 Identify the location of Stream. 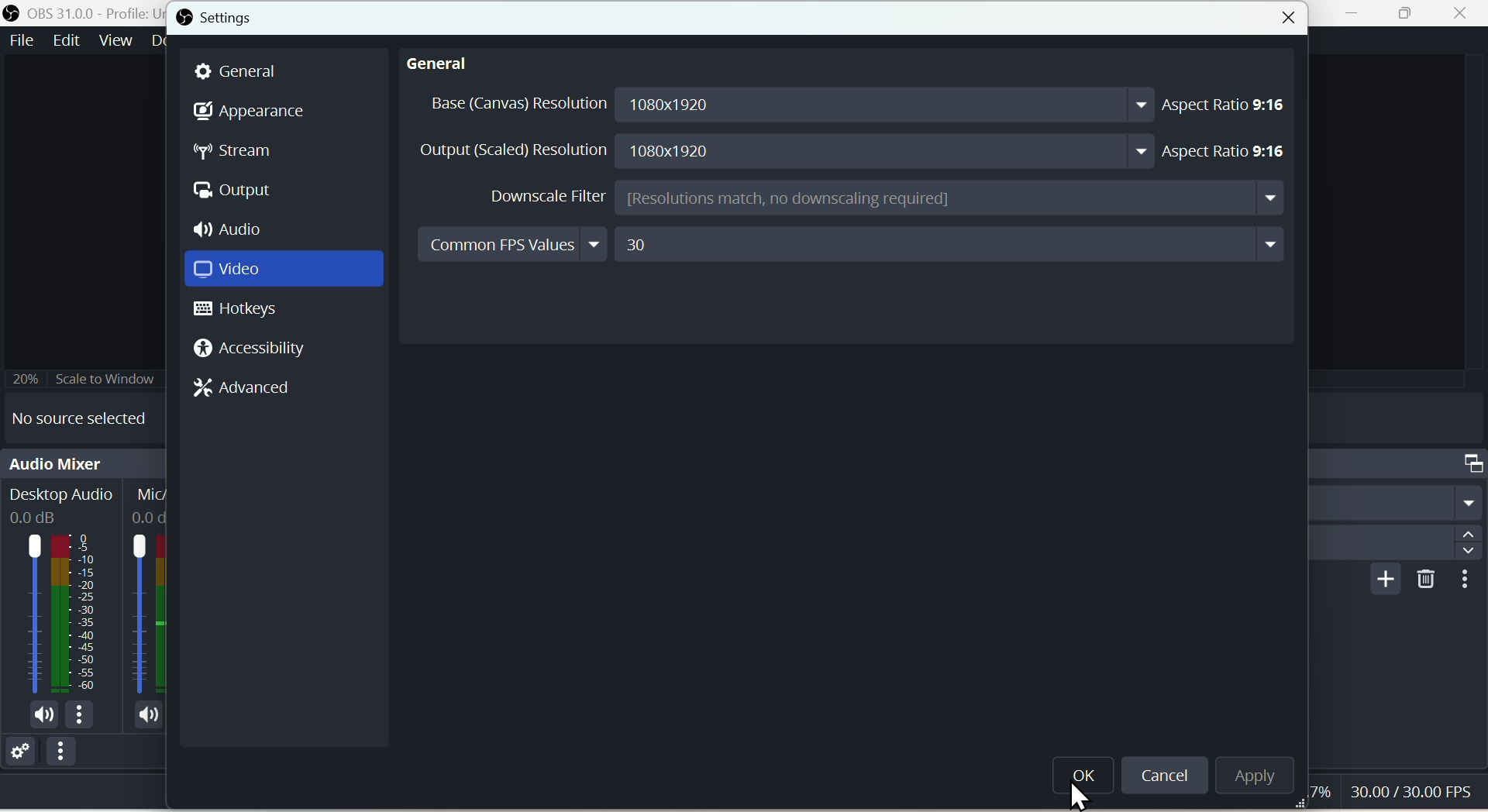
(235, 153).